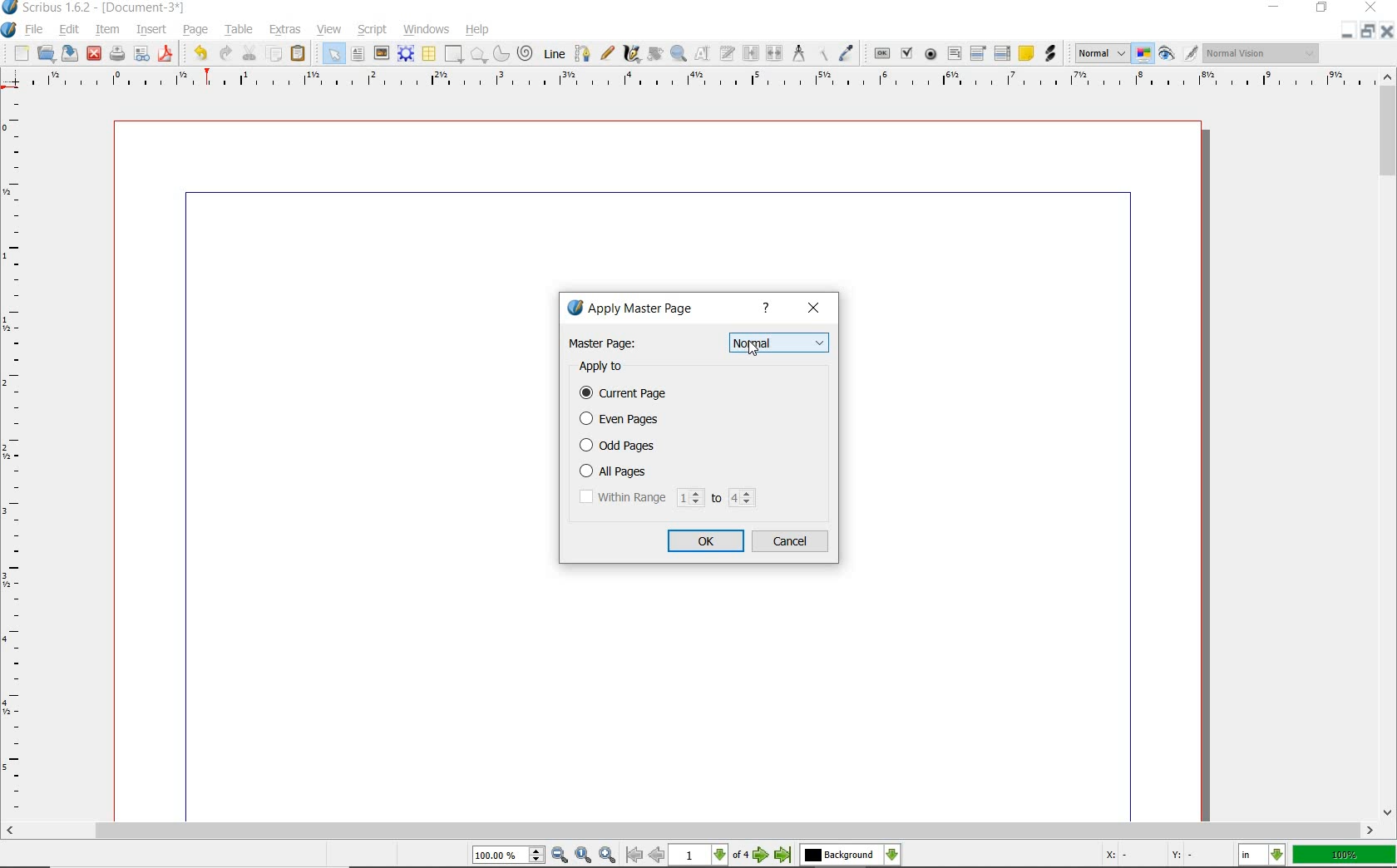 The width and height of the screenshot is (1397, 868). Describe the element at coordinates (698, 343) in the screenshot. I see `master page: normal` at that location.